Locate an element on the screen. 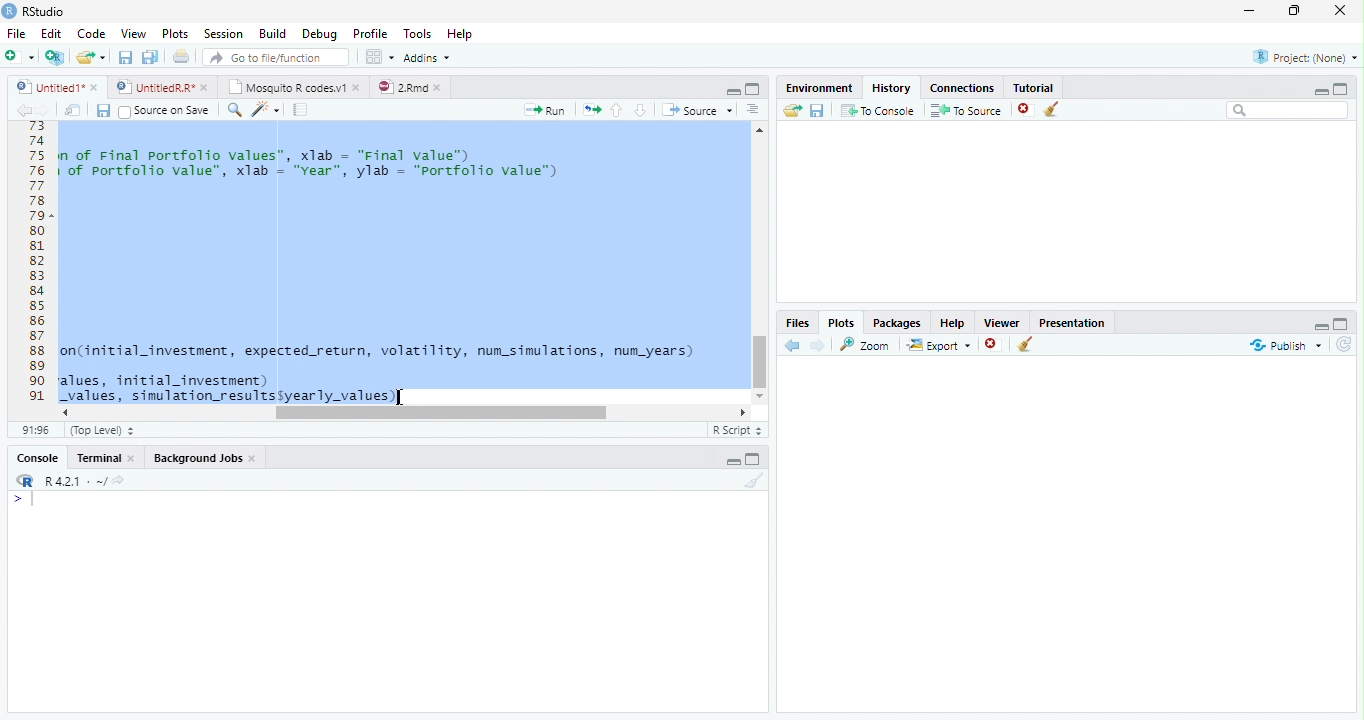 This screenshot has height=720, width=1364. Plots is located at coordinates (841, 322).